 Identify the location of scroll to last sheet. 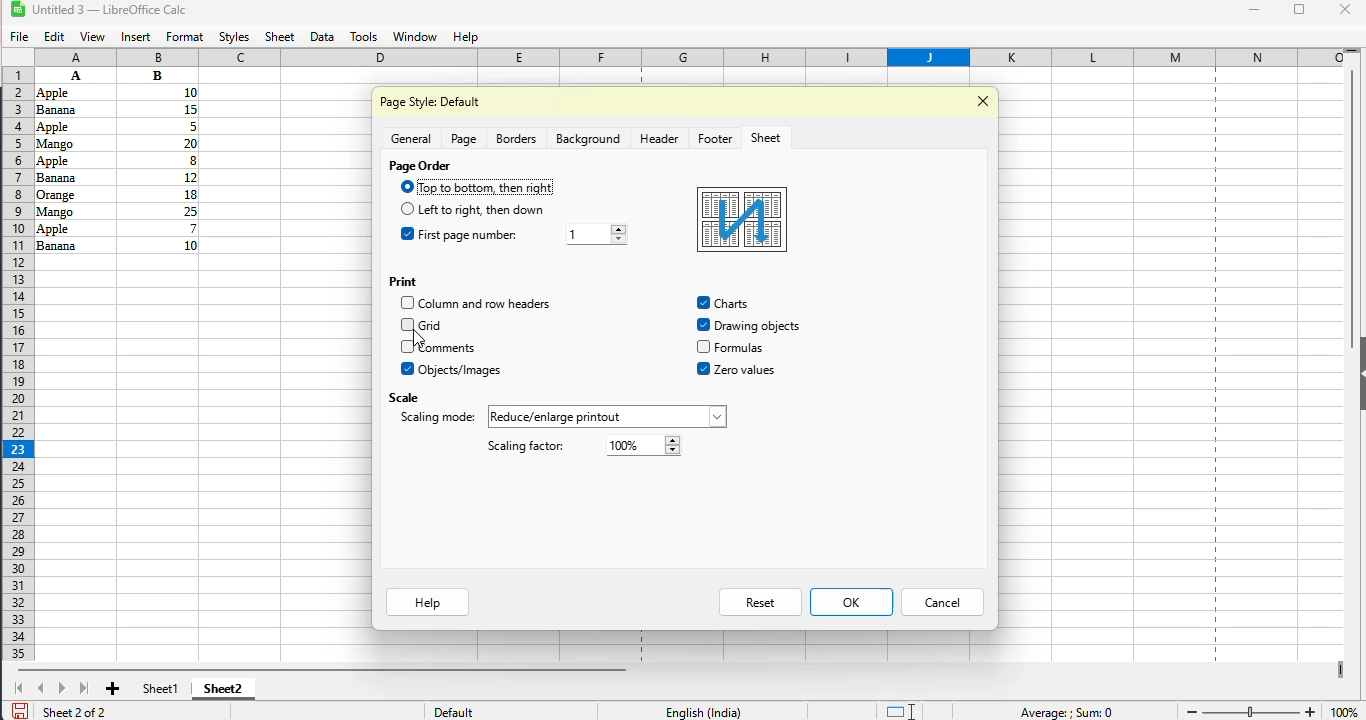
(85, 687).